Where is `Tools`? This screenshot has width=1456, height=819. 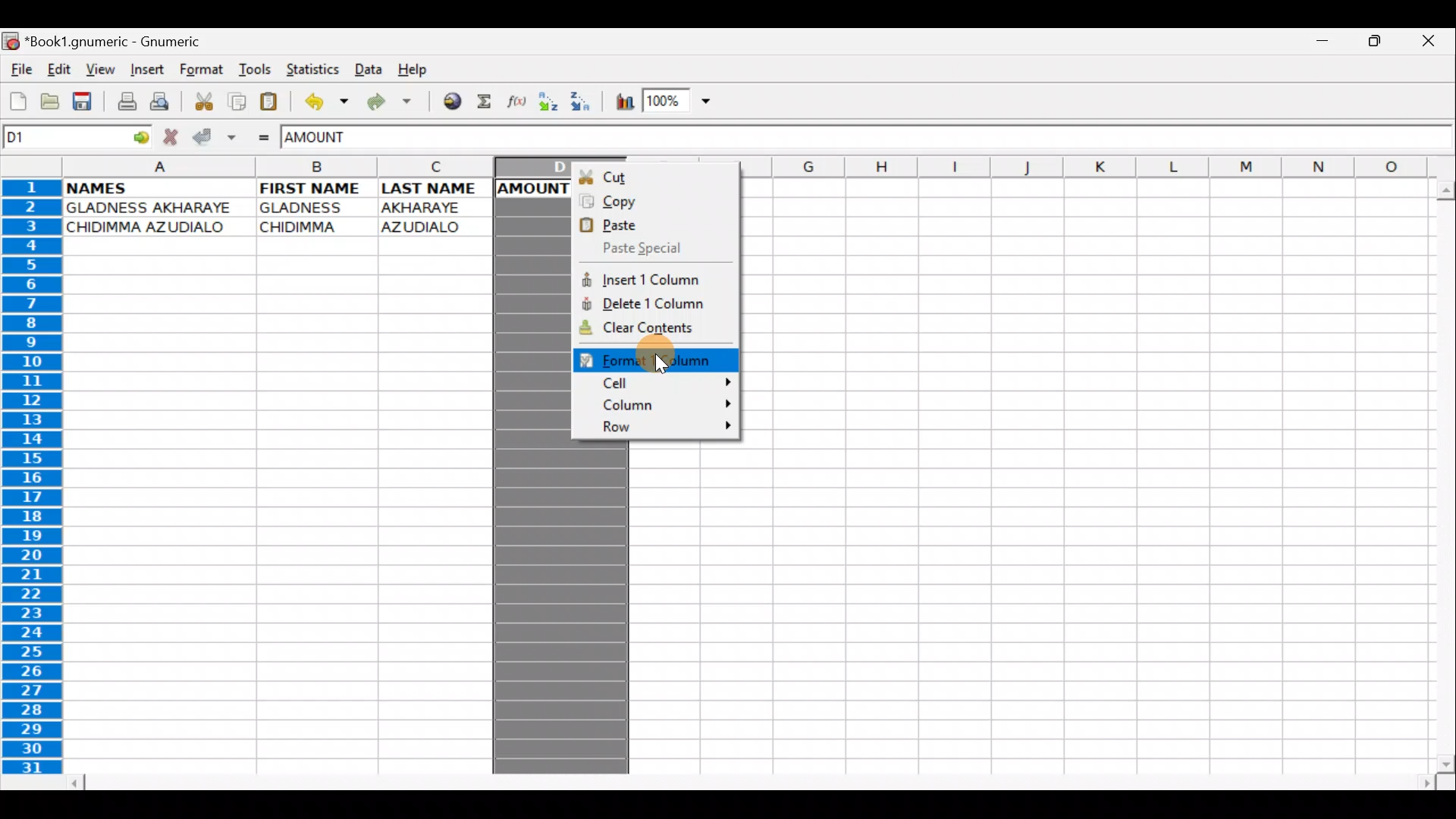 Tools is located at coordinates (250, 71).